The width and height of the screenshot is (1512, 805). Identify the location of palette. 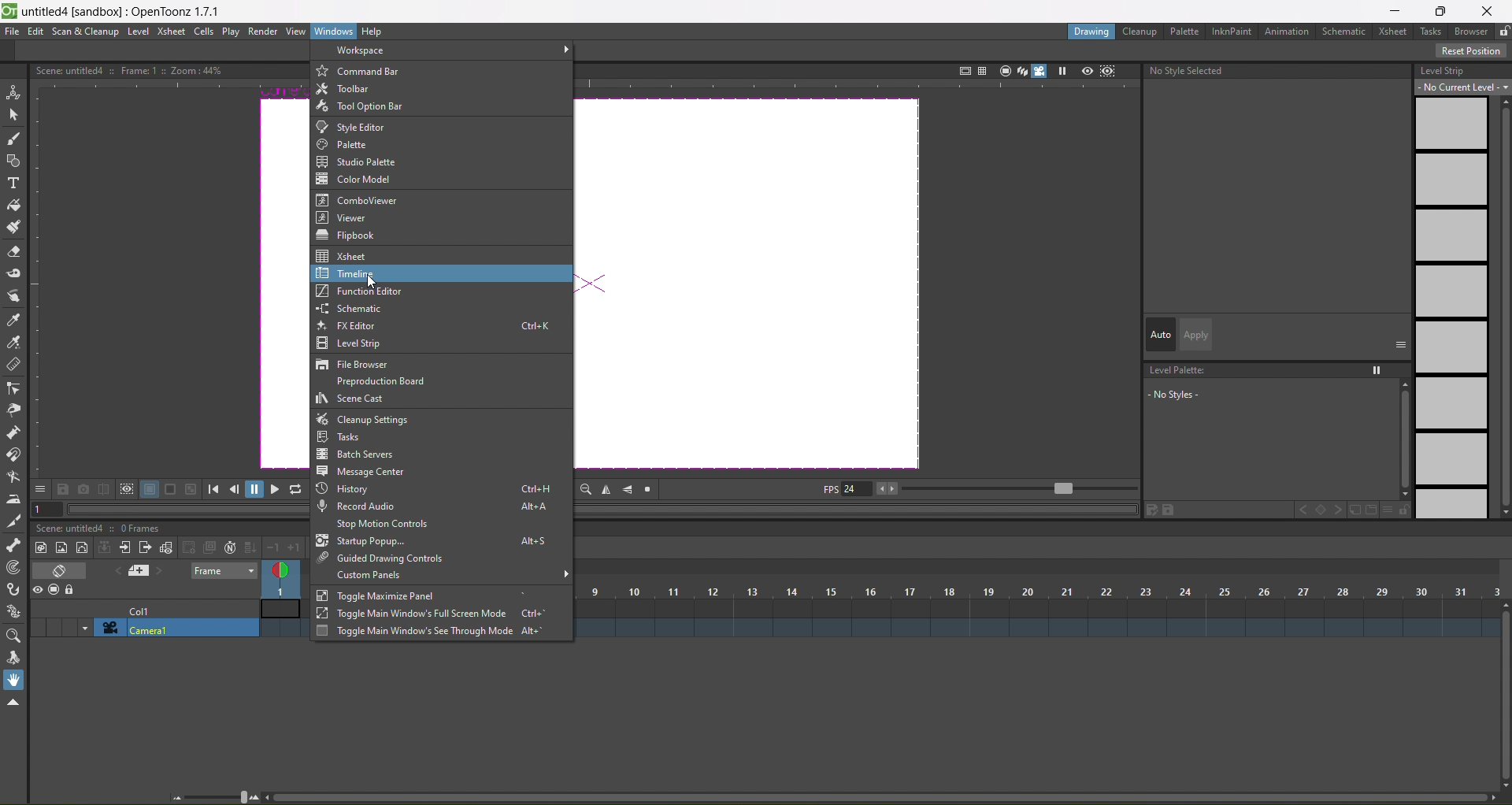
(1186, 31).